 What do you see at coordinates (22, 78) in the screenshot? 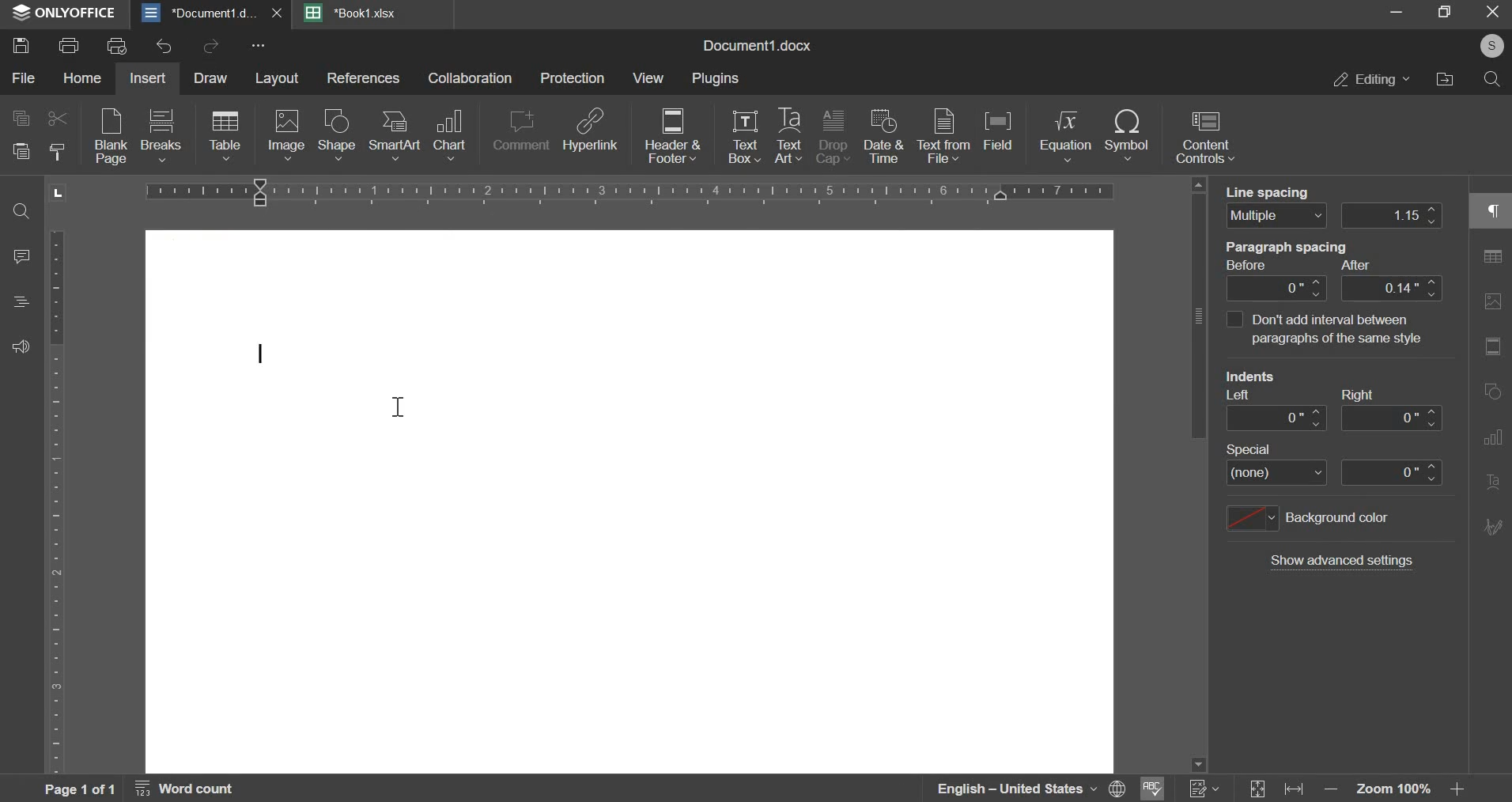
I see `file` at bounding box center [22, 78].